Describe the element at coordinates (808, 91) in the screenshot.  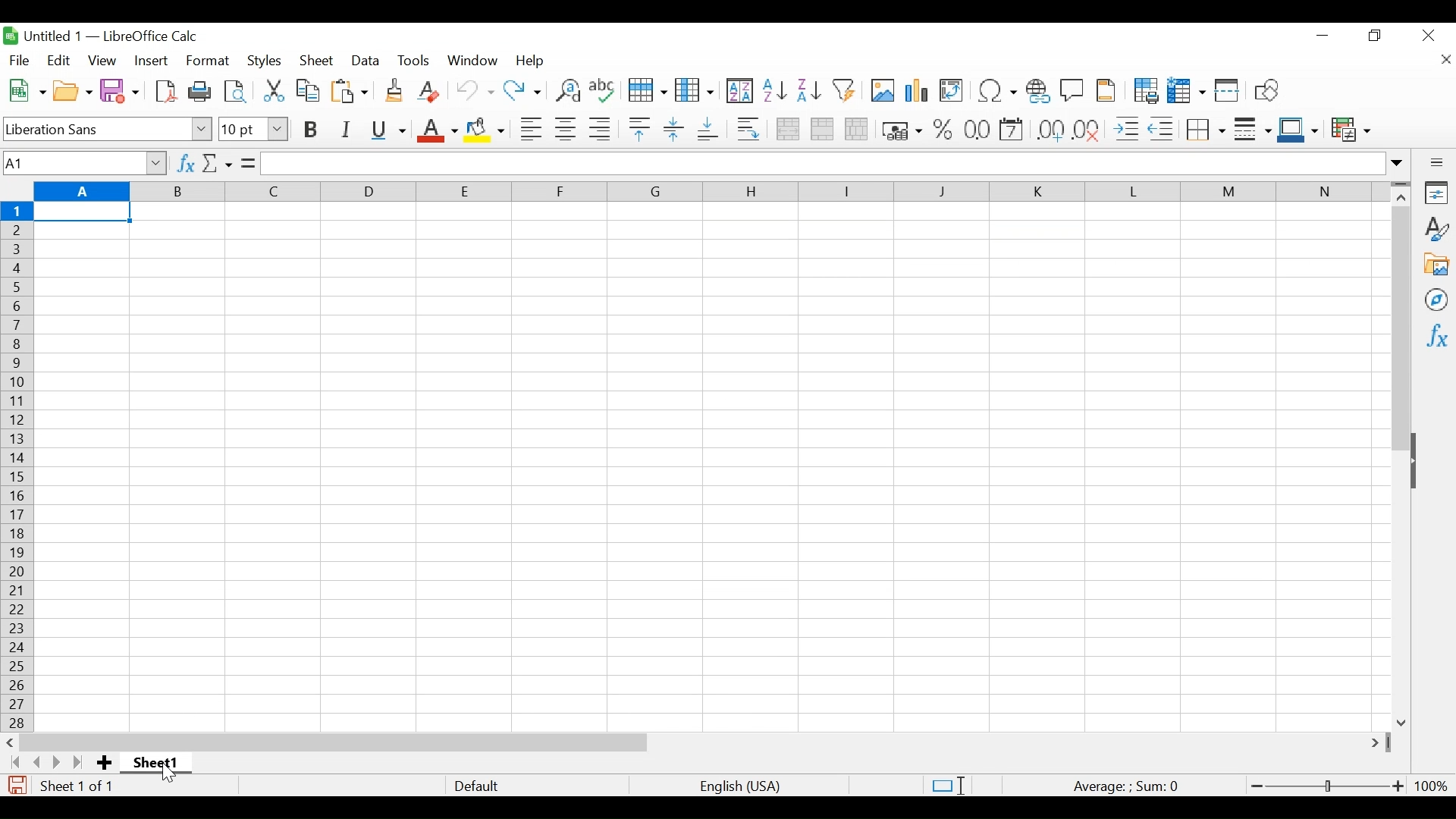
I see `Sort Descending` at that location.